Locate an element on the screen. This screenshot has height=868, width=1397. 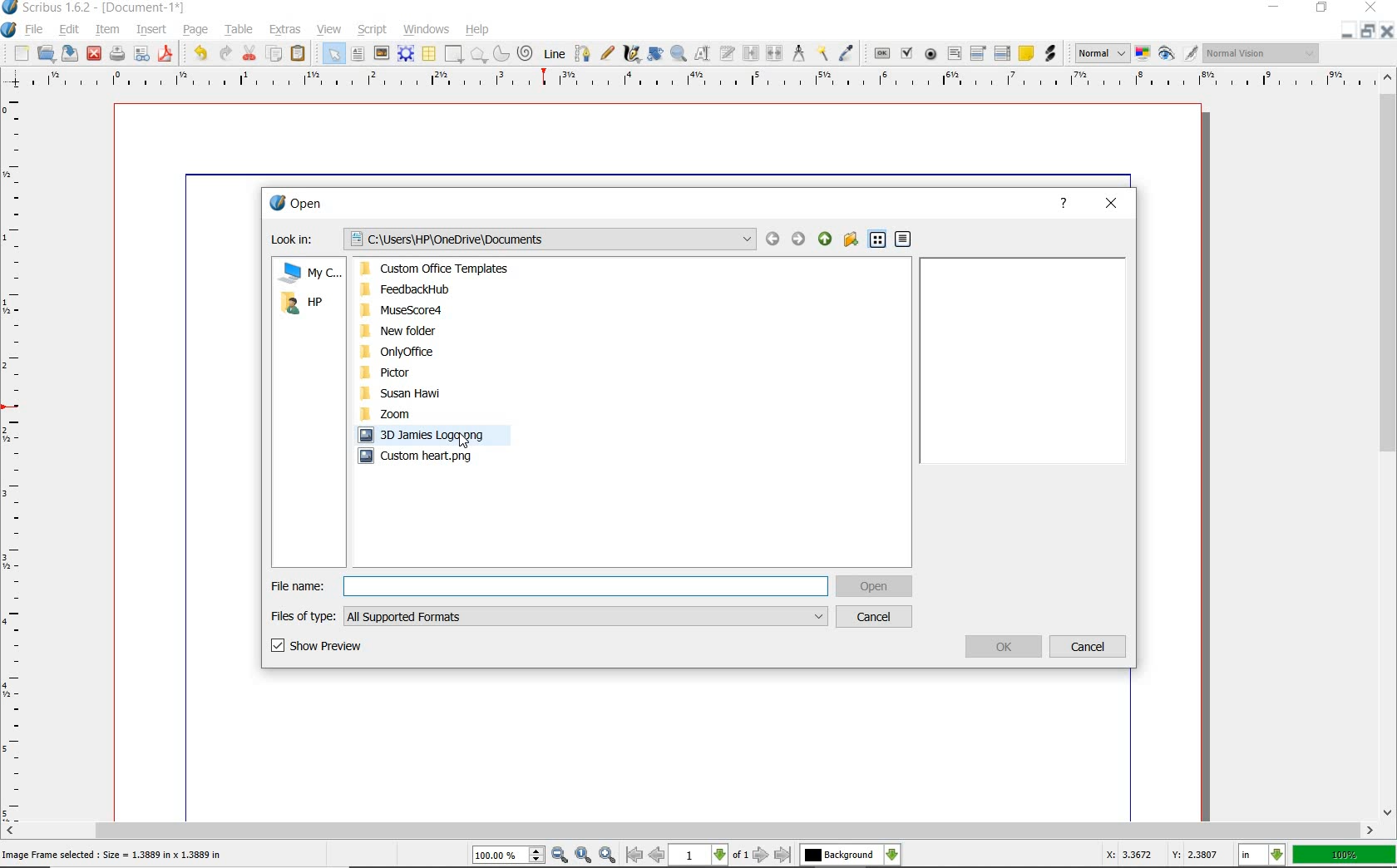
pdf check box is located at coordinates (906, 54).